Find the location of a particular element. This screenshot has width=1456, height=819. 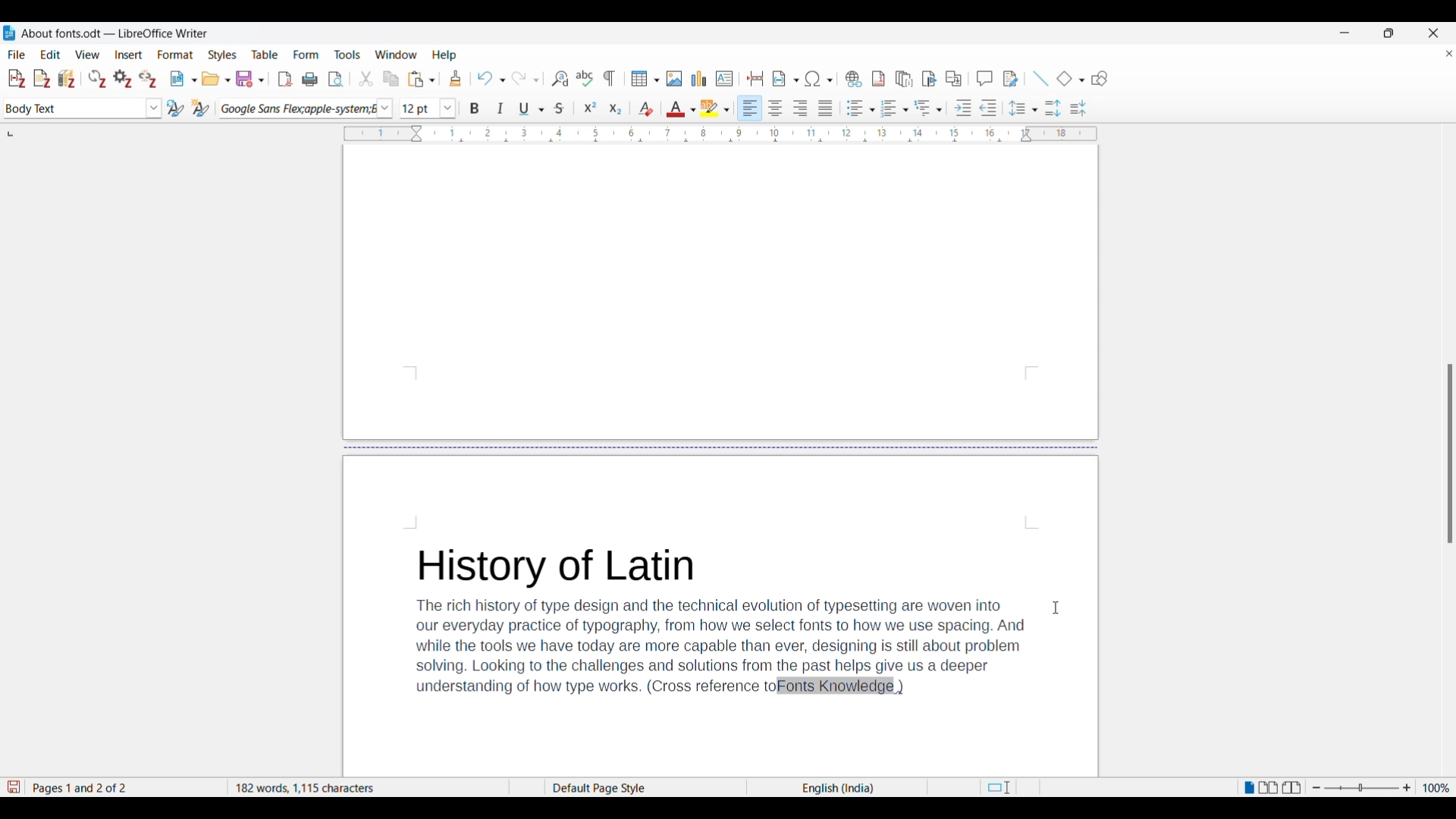

Decrease indentation is located at coordinates (989, 108).